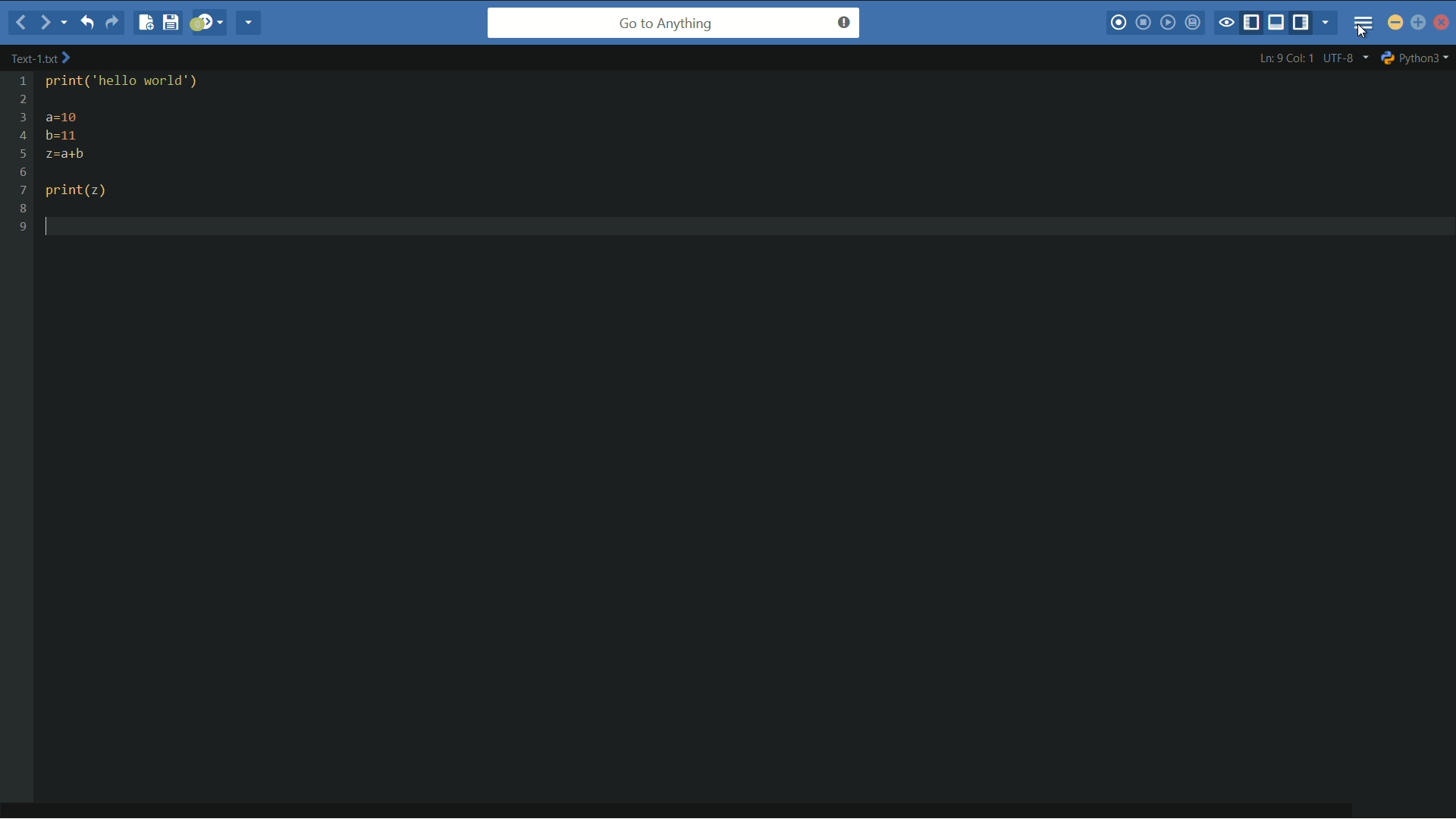 The image size is (1456, 819). Describe the element at coordinates (91, 23) in the screenshot. I see `undo` at that location.